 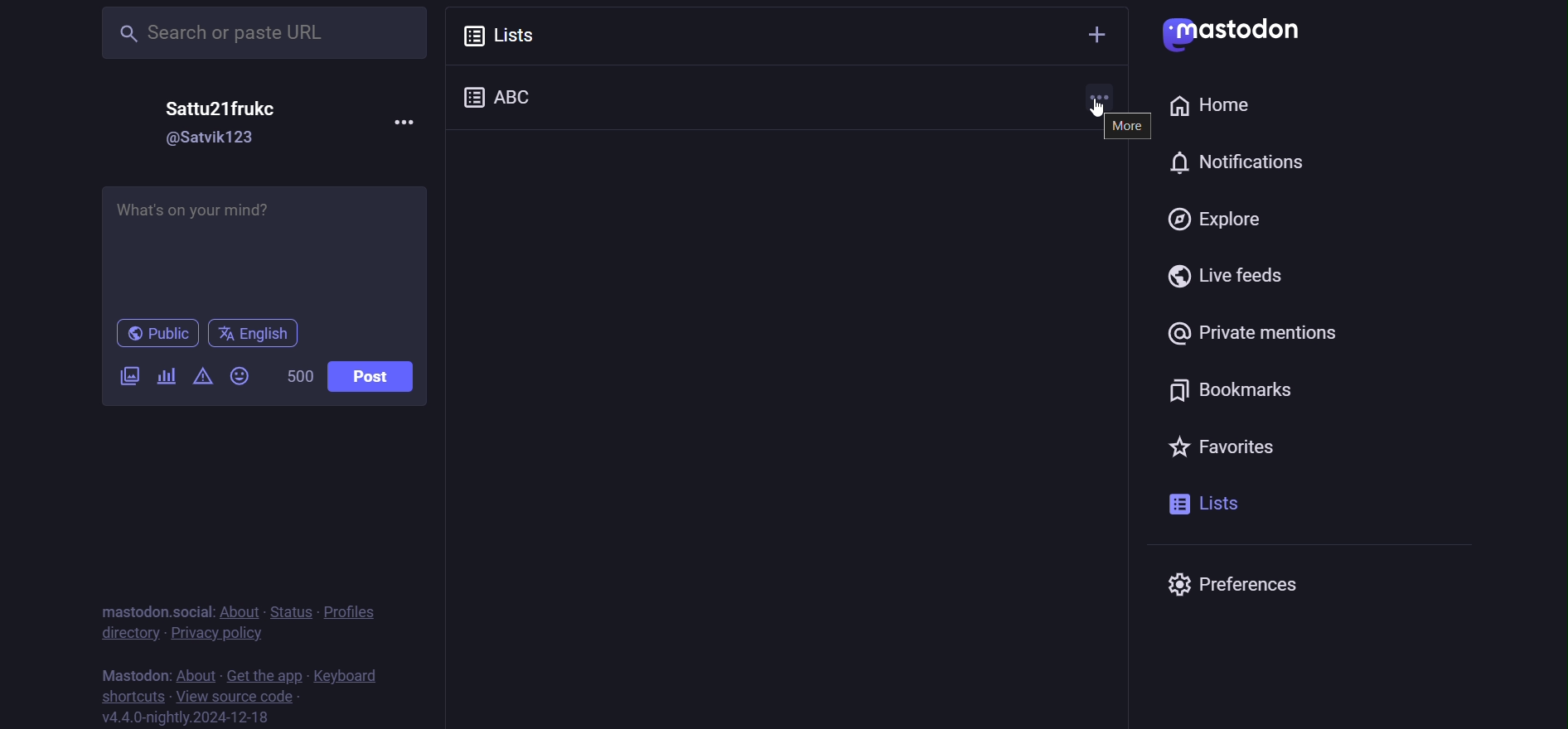 What do you see at coordinates (1205, 504) in the screenshot?
I see `lists` at bounding box center [1205, 504].